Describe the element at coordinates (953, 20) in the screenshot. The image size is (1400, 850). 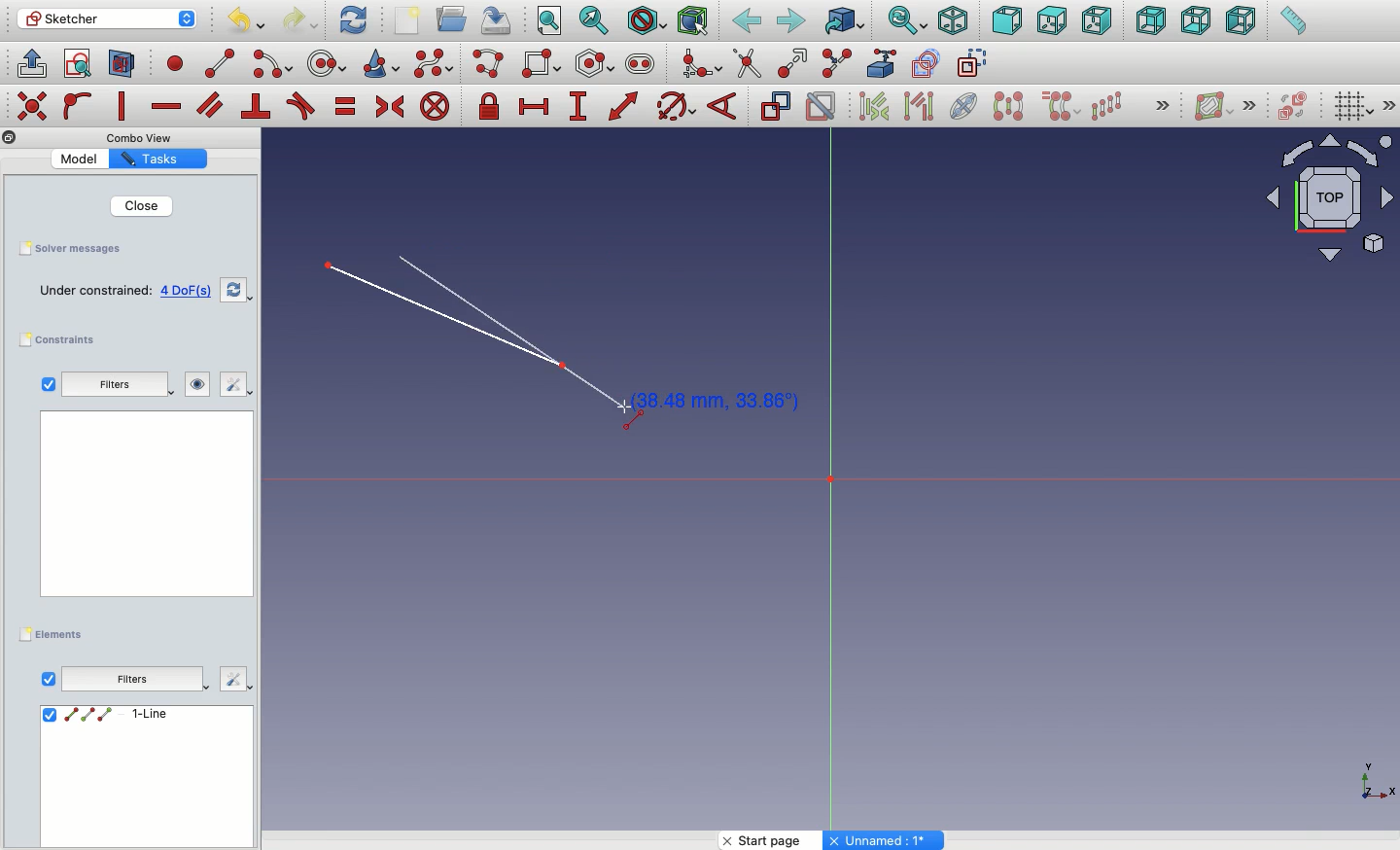
I see `Isometric` at that location.